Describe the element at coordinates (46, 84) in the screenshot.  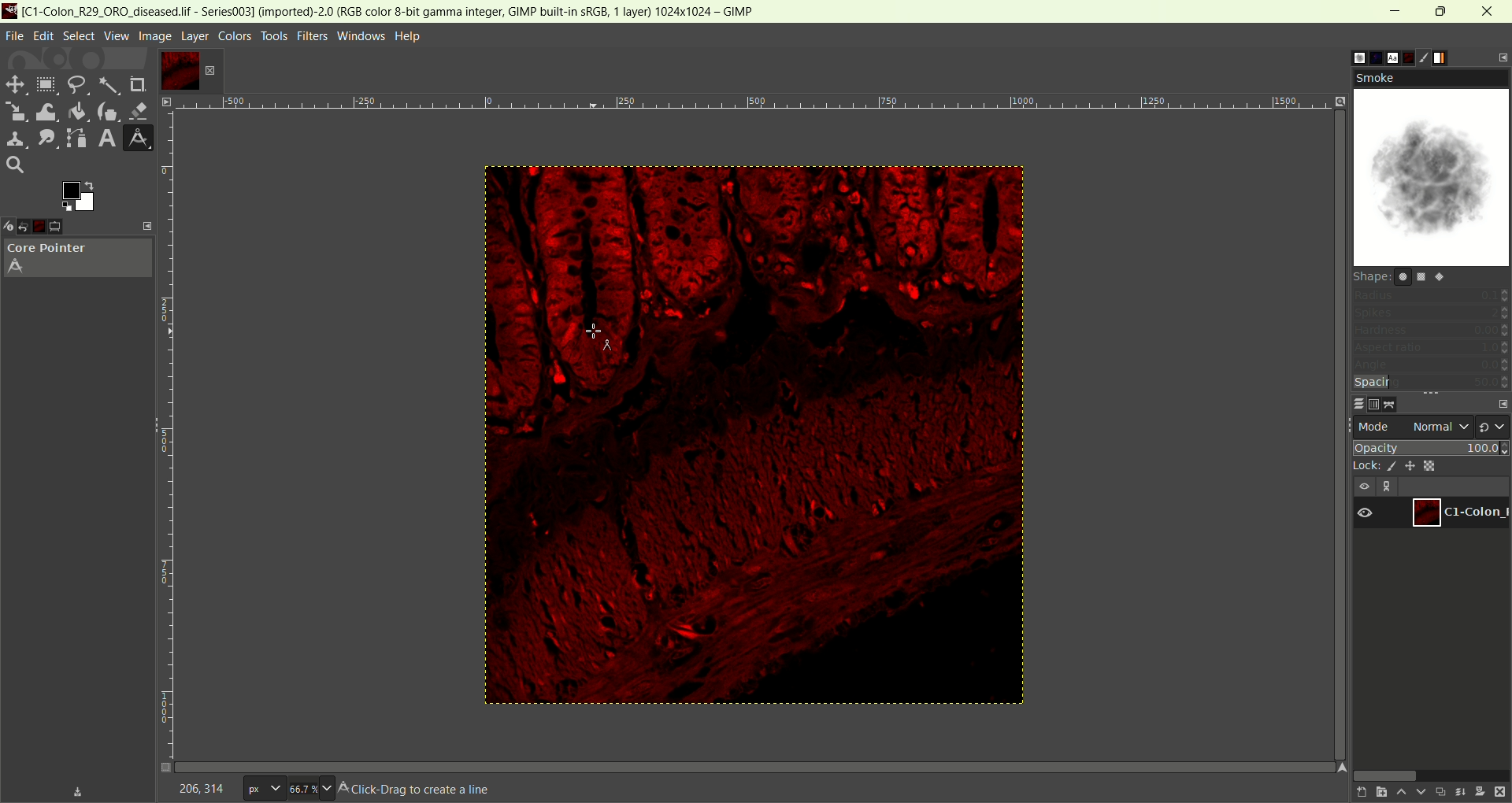
I see `rectangle select tool` at that location.